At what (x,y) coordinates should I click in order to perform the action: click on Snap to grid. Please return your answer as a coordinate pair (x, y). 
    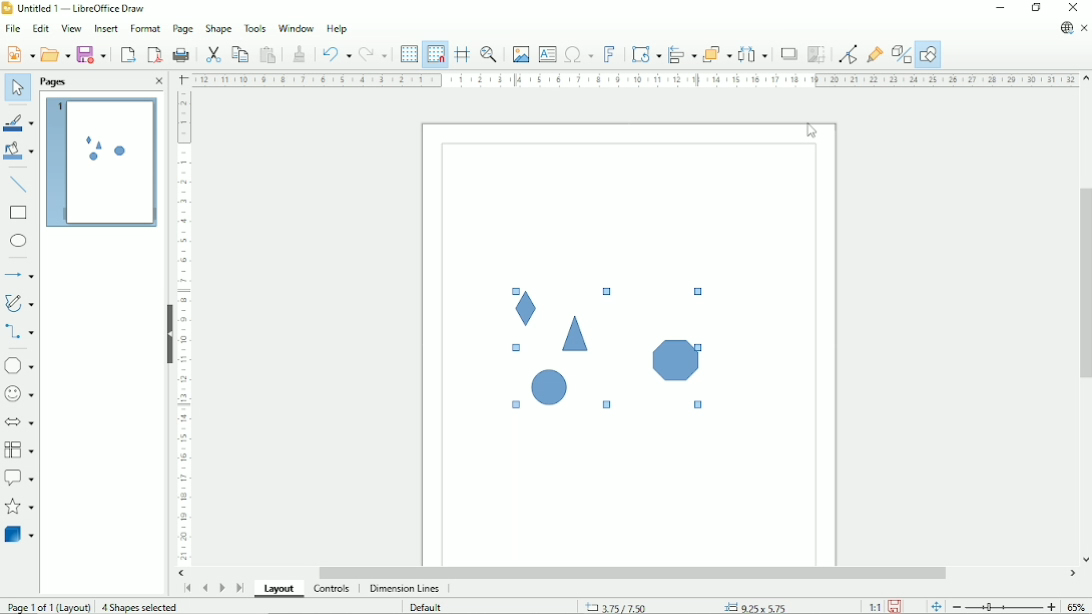
    Looking at the image, I should click on (435, 53).